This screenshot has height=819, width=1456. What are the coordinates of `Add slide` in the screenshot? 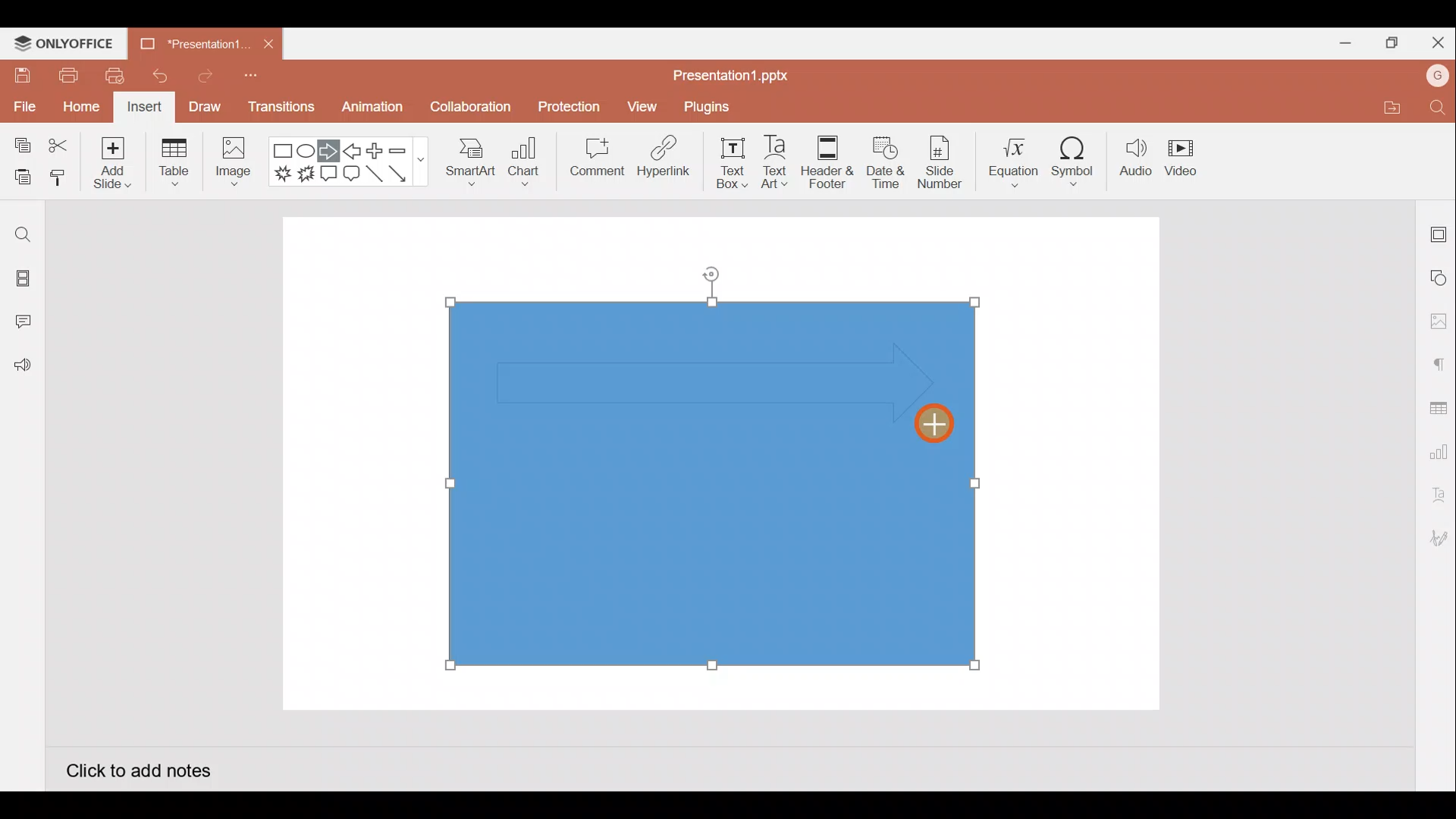 It's located at (110, 159).